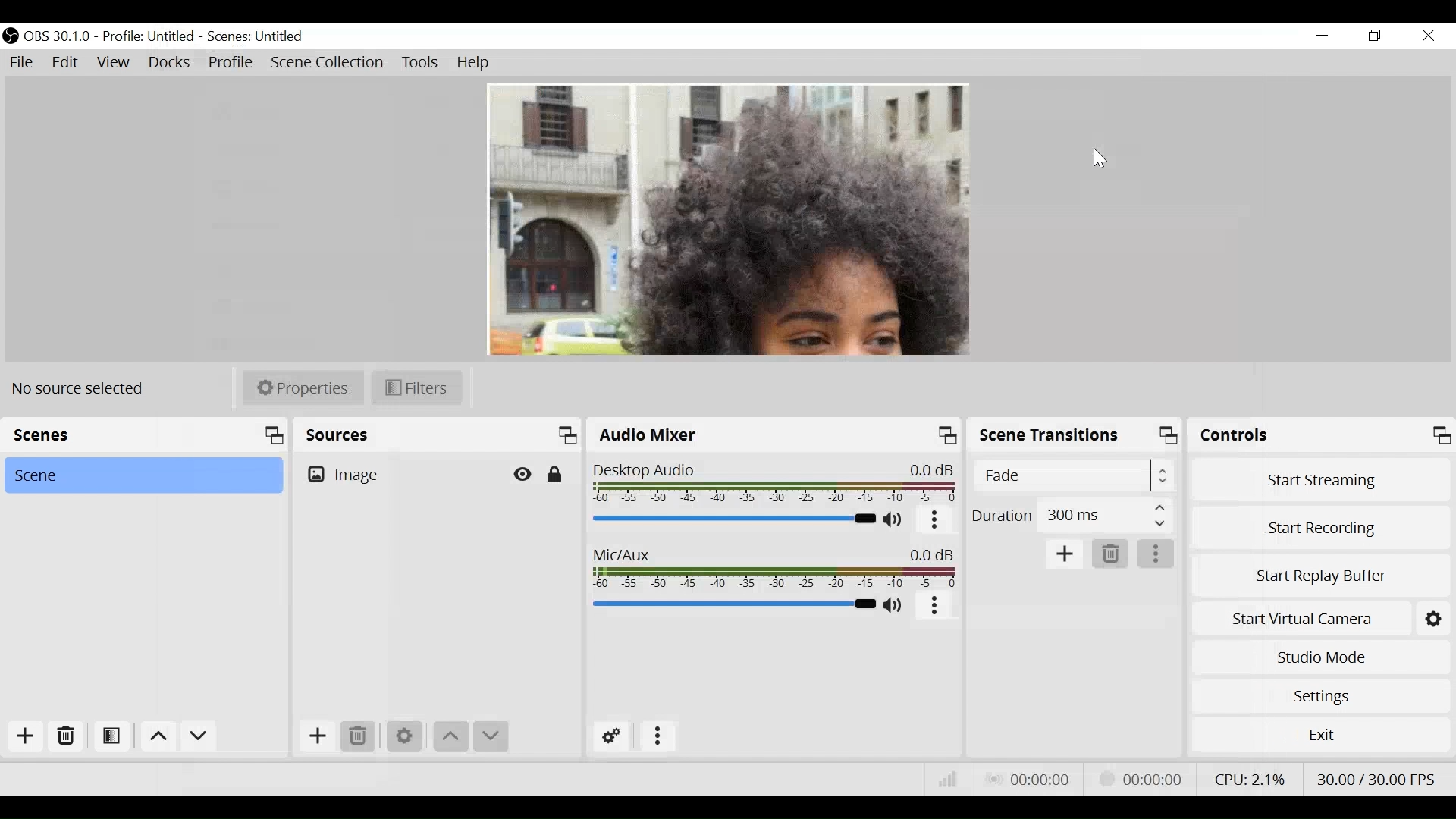  I want to click on Close, so click(1428, 35).